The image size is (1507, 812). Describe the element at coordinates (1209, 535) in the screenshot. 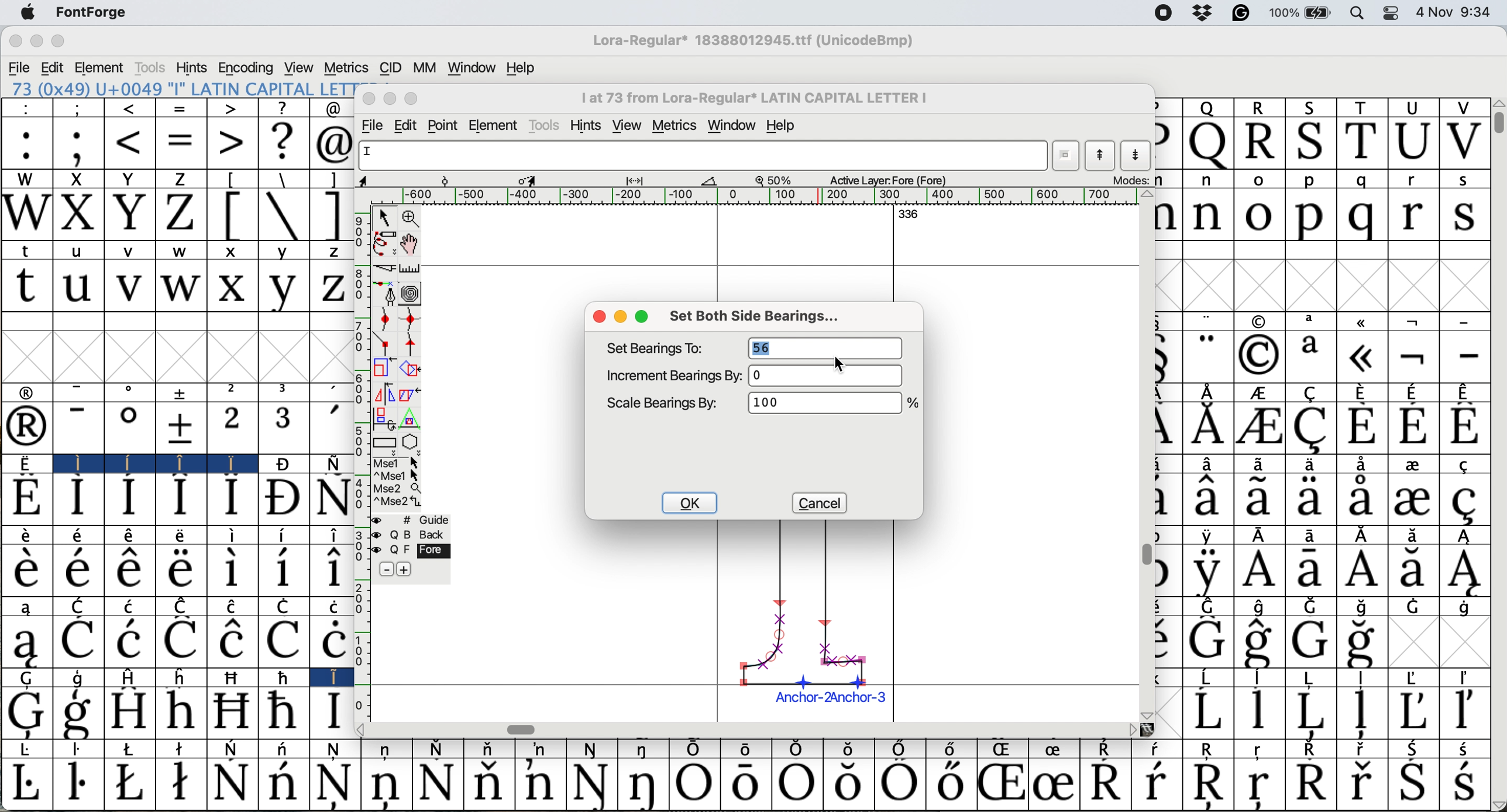

I see `Symbol` at that location.